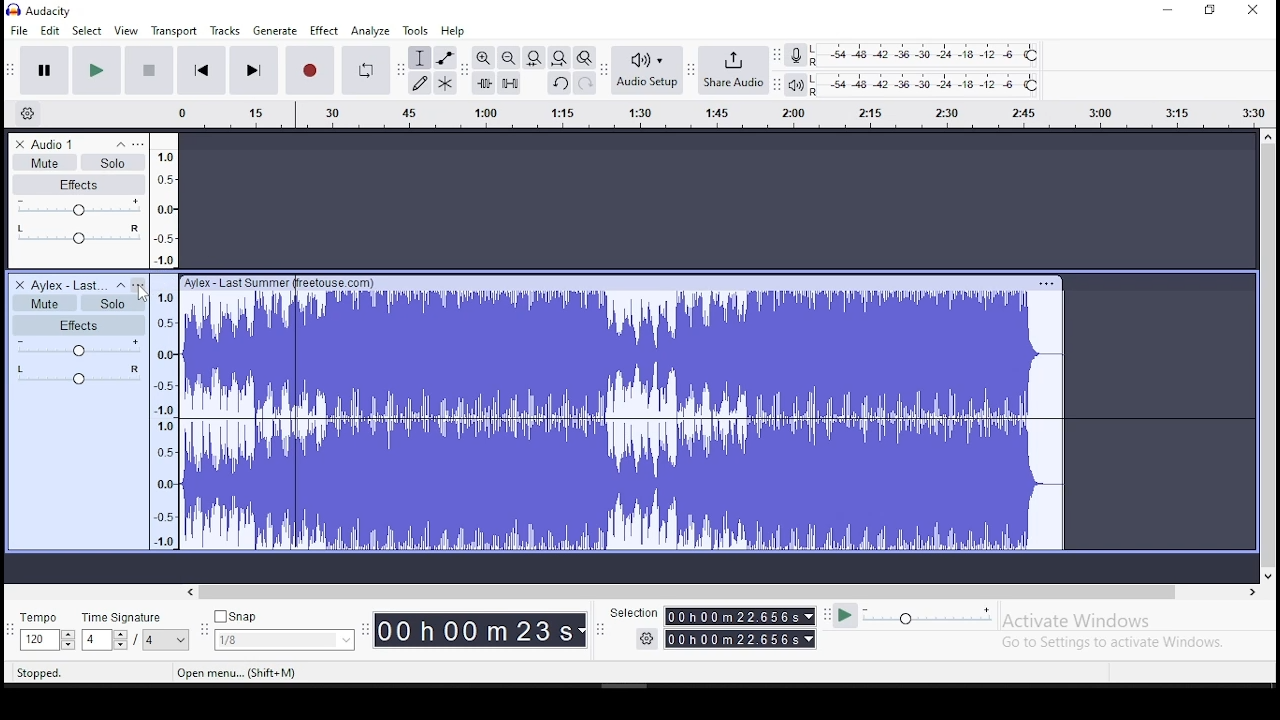  Describe the element at coordinates (646, 69) in the screenshot. I see `audio setup` at that location.